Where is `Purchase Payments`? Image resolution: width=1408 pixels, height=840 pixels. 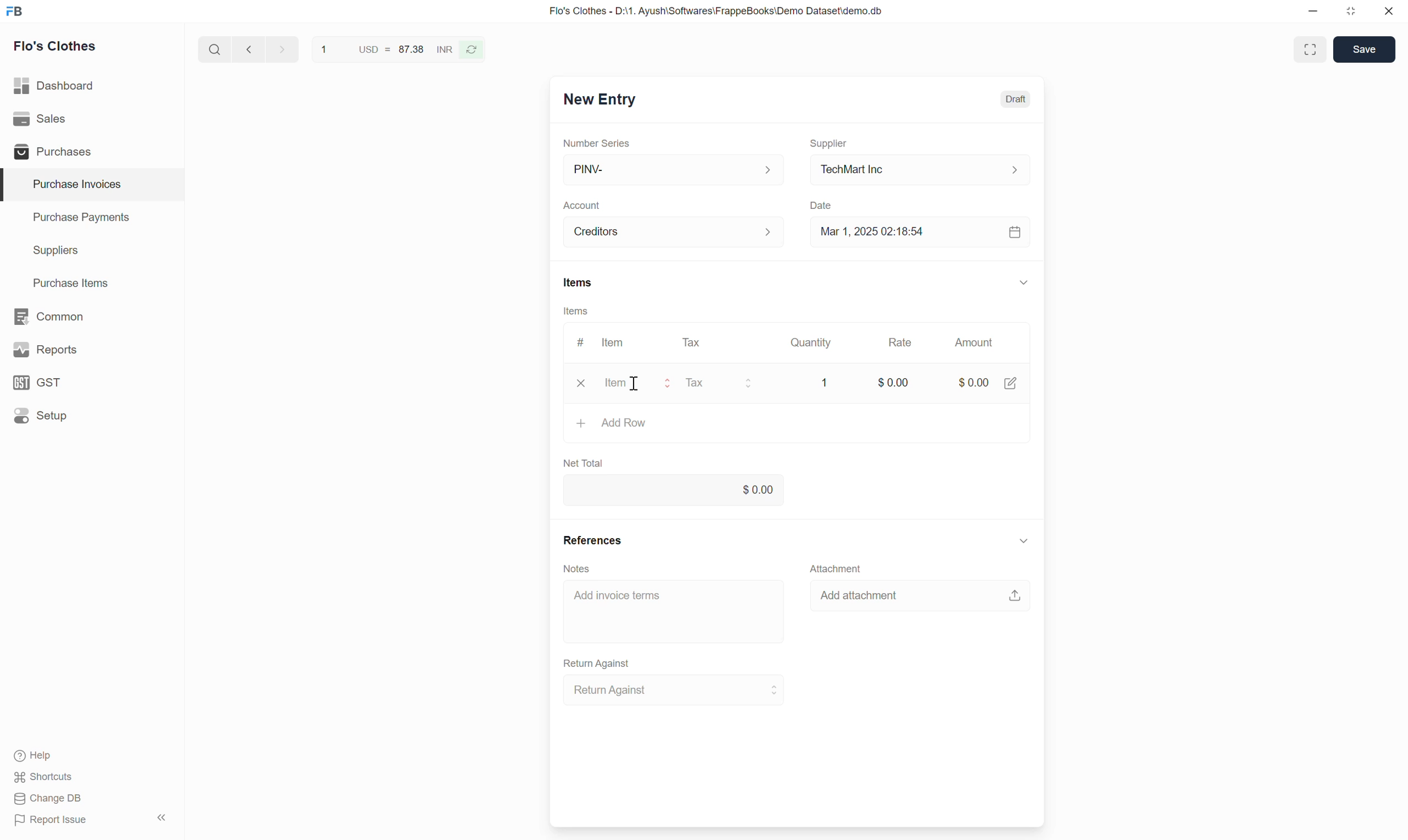 Purchase Payments is located at coordinates (92, 218).